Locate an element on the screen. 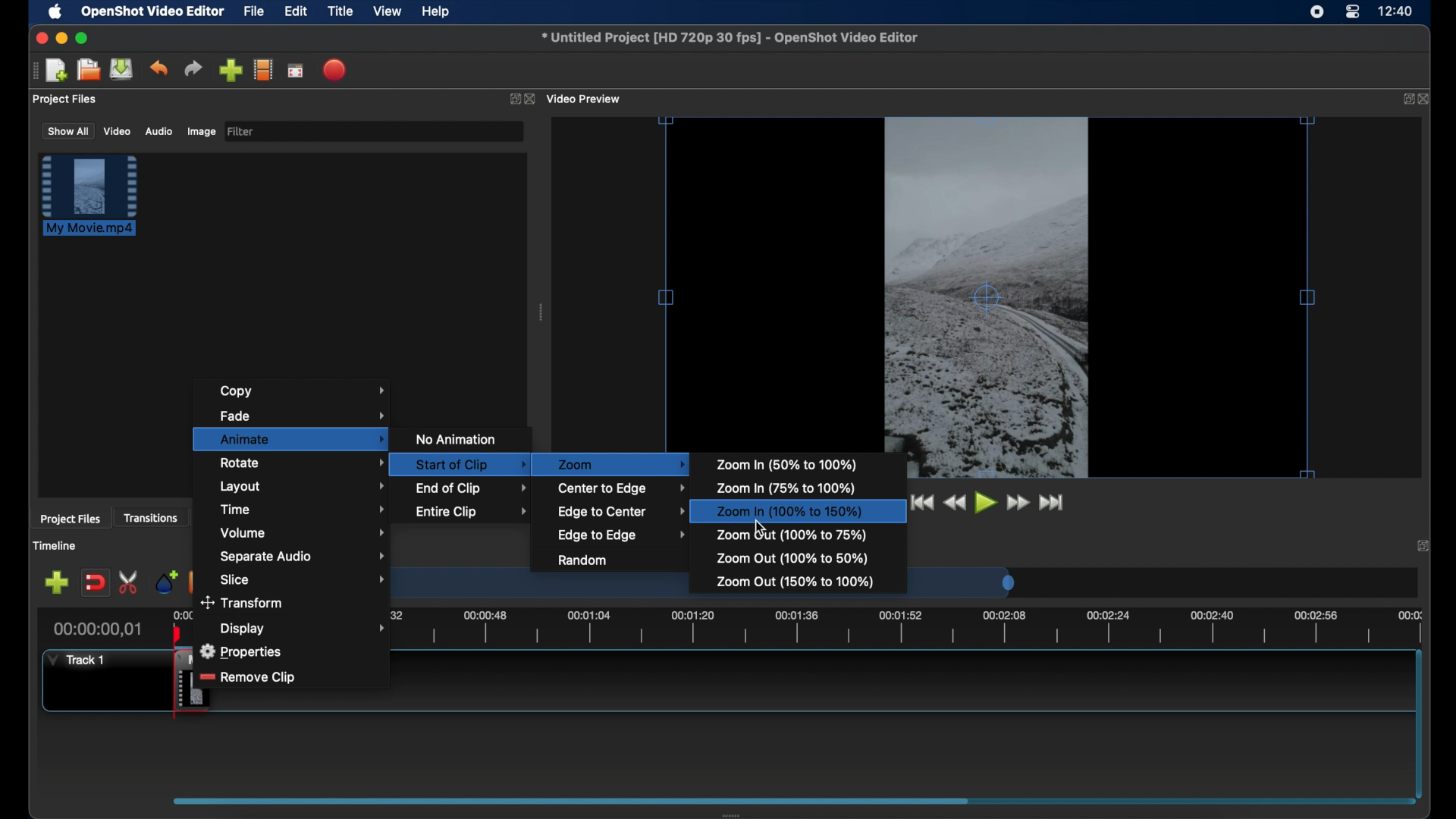  video preview is located at coordinates (585, 99).